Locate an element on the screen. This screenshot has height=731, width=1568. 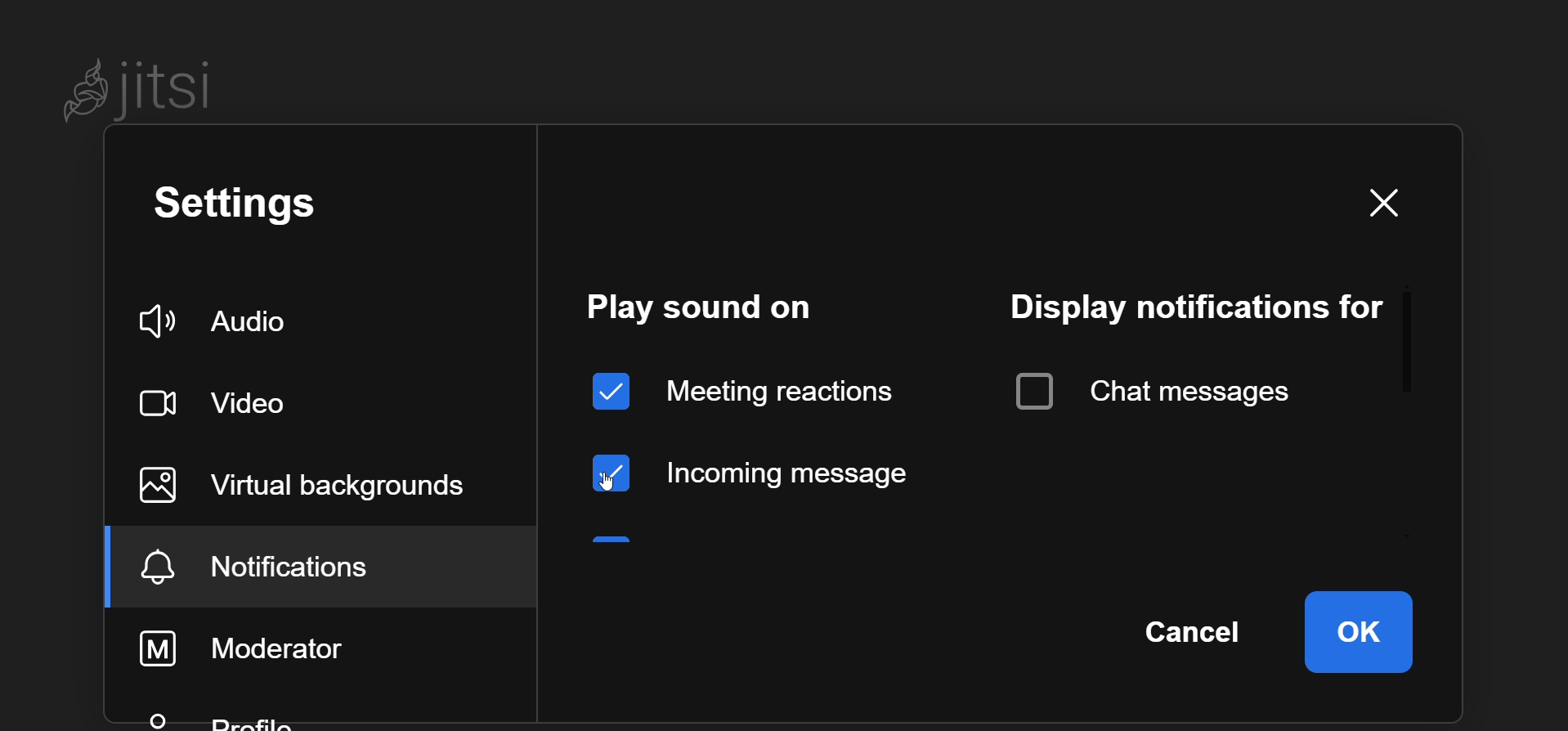
close window is located at coordinates (1376, 203).